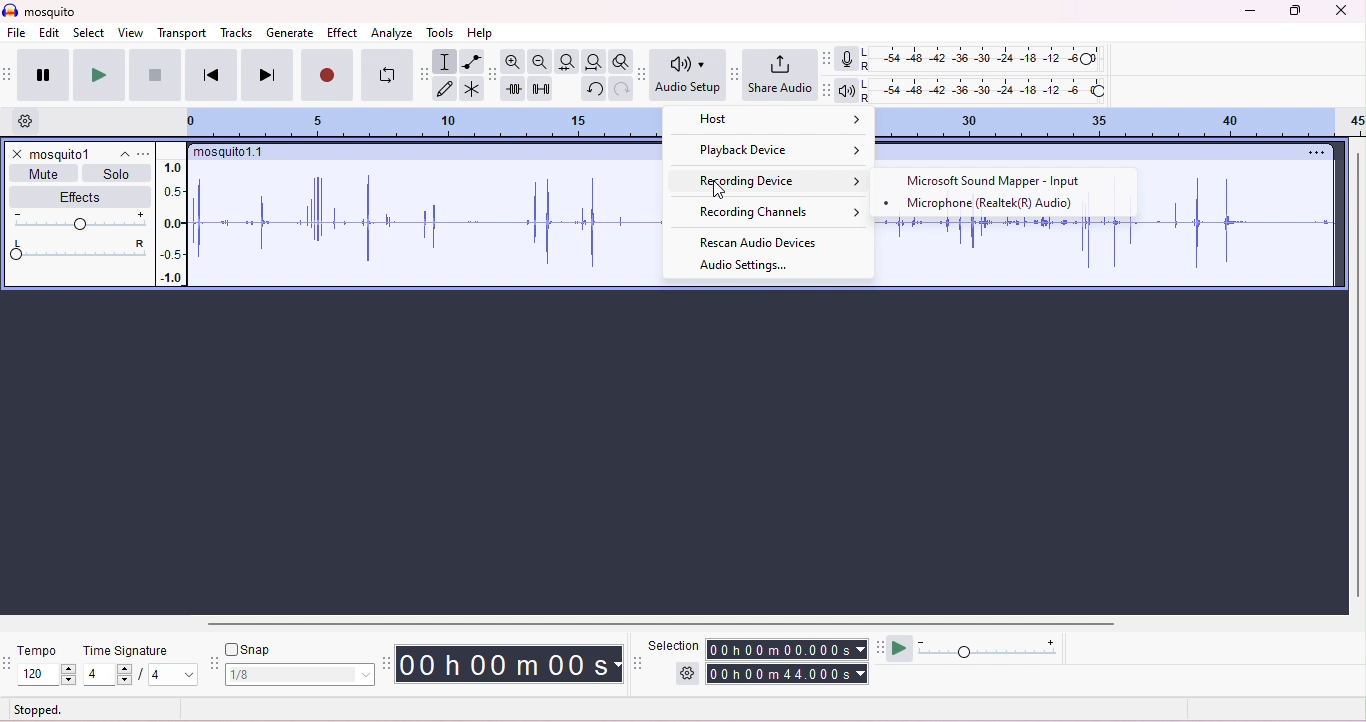  I want to click on edit, so click(50, 34).